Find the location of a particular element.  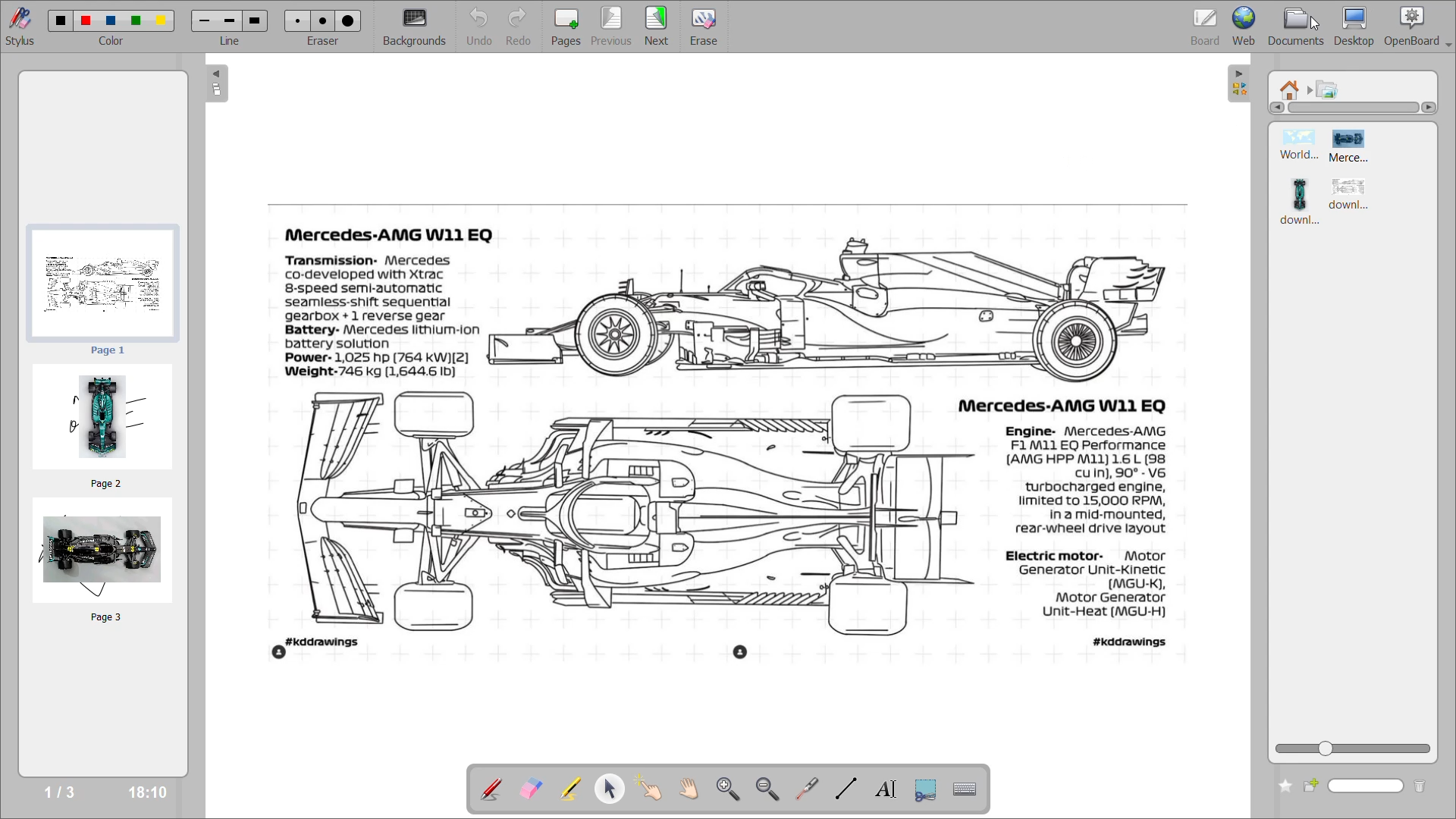

world map image is located at coordinates (1299, 144).